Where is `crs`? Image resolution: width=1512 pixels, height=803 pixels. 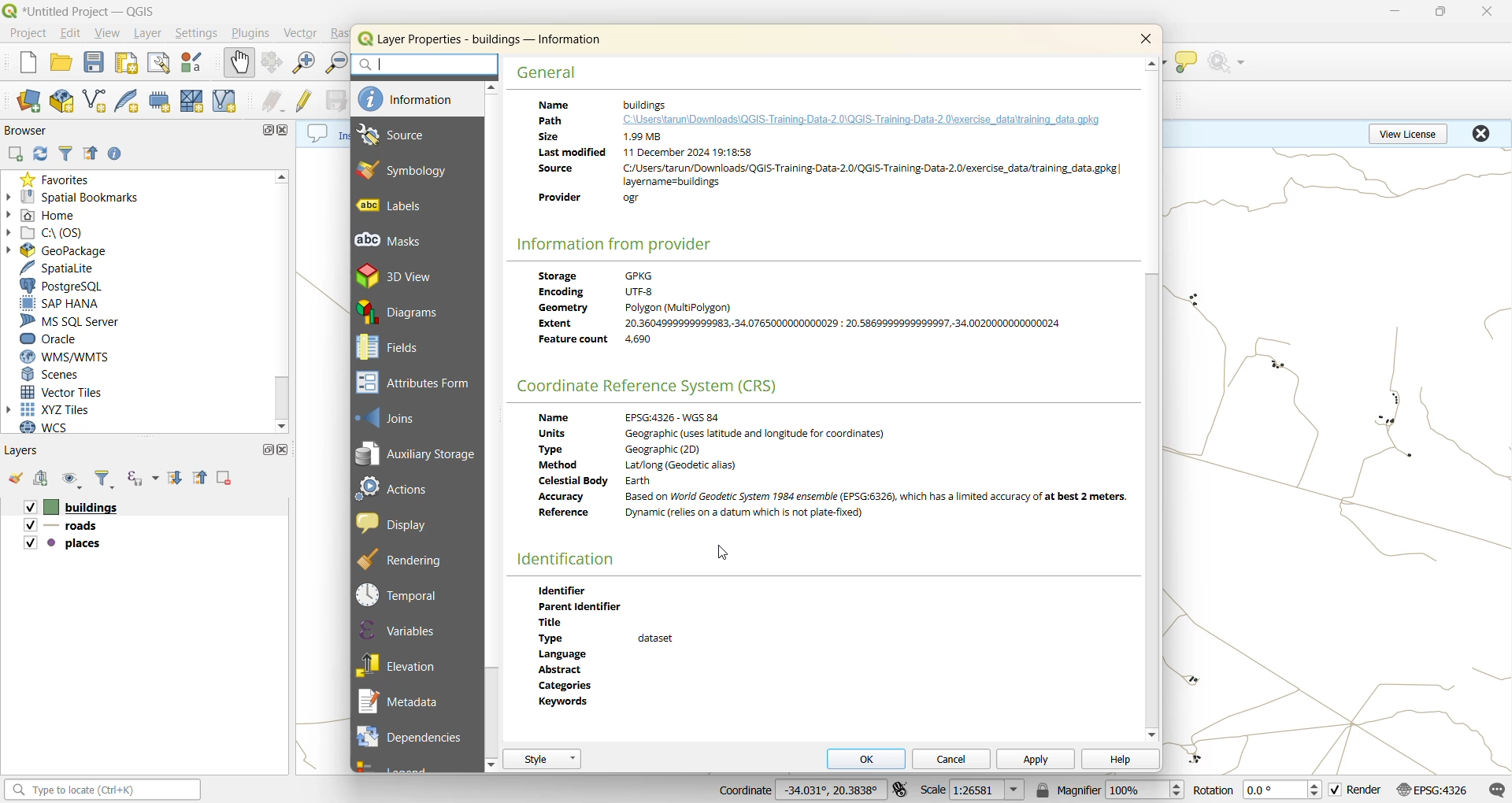 crs is located at coordinates (1431, 790).